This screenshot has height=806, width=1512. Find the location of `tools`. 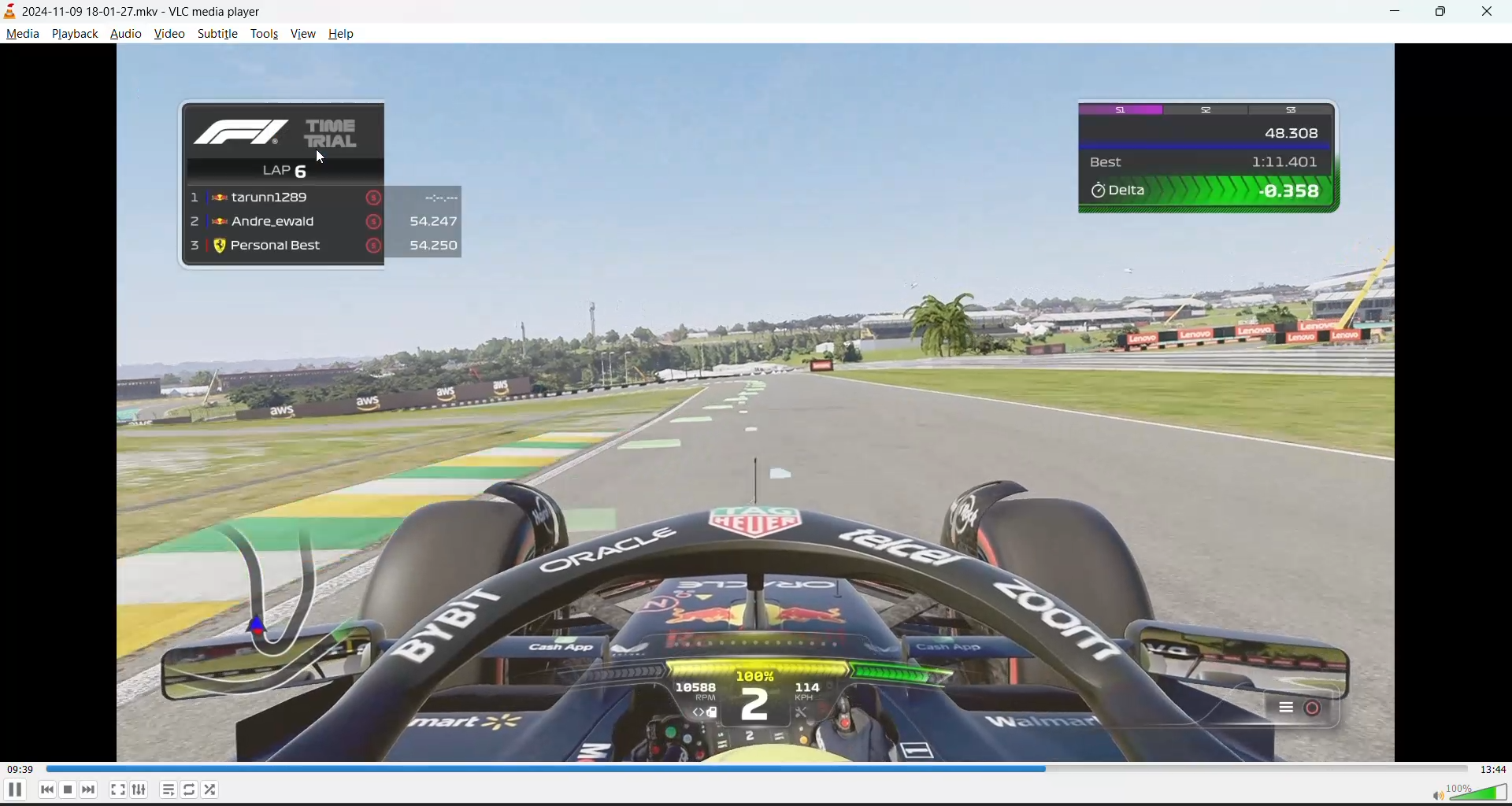

tools is located at coordinates (264, 36).